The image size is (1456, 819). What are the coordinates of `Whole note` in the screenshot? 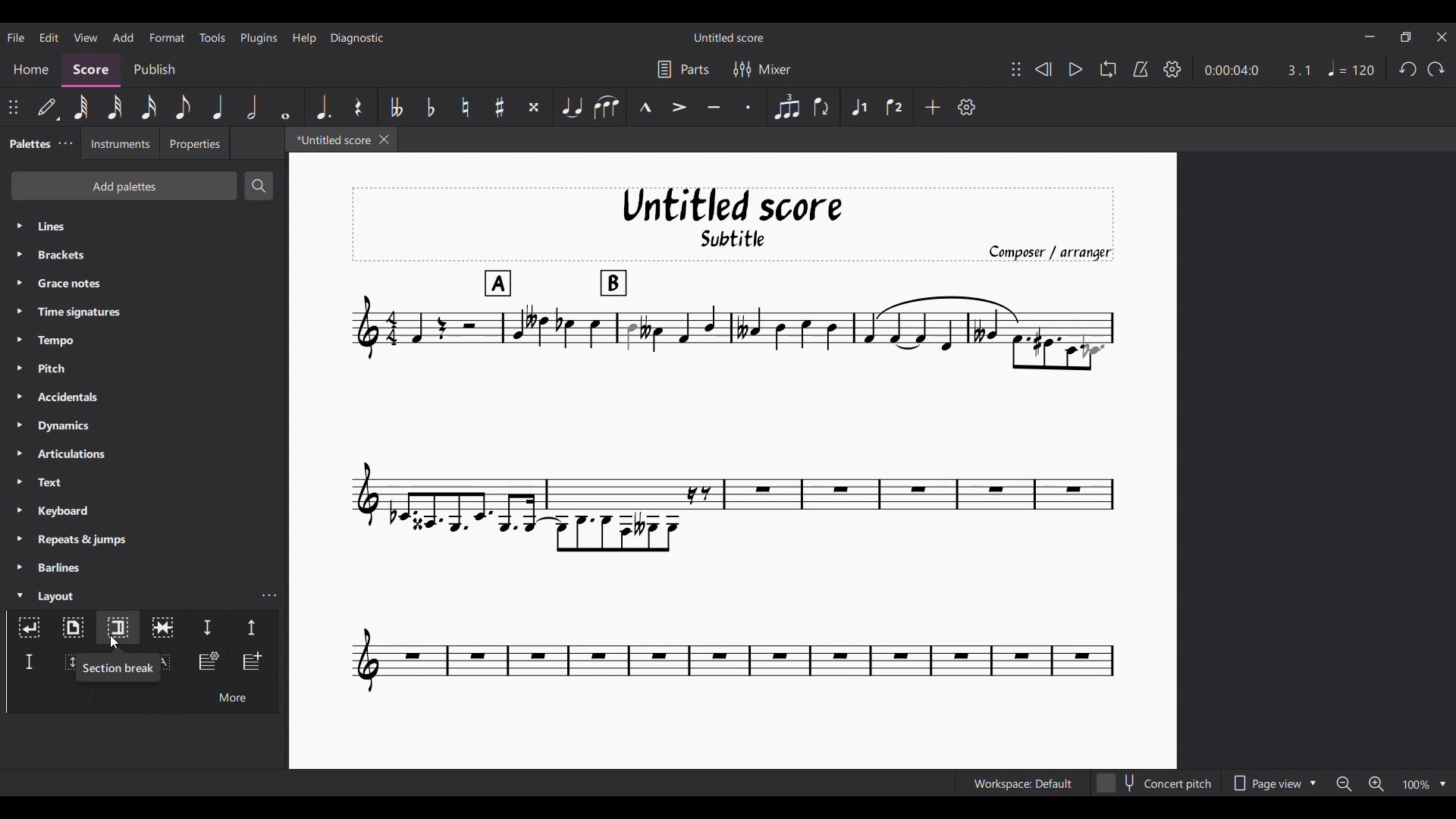 It's located at (287, 107).